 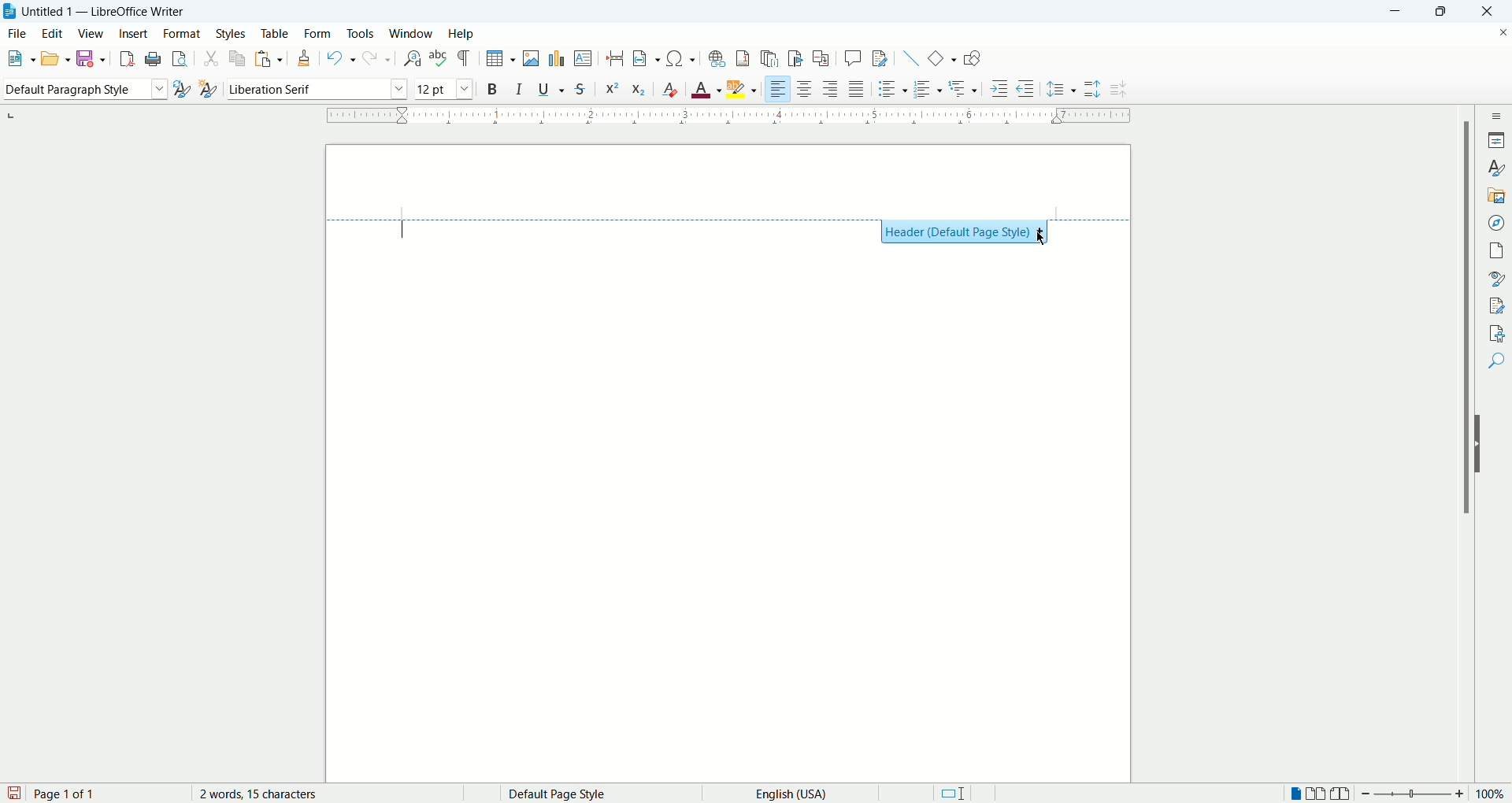 I want to click on book view, so click(x=1341, y=791).